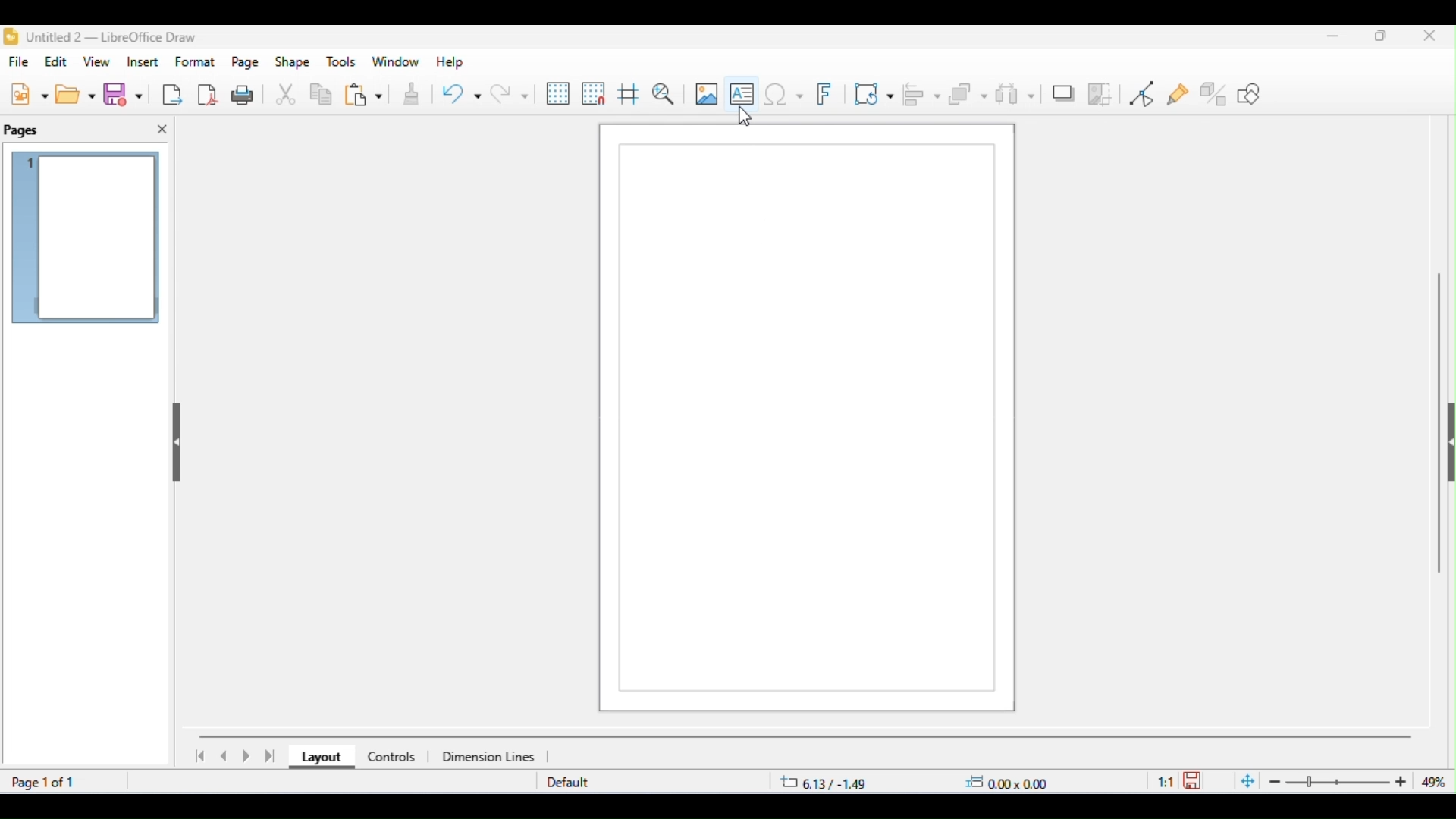  Describe the element at coordinates (705, 93) in the screenshot. I see `insert image` at that location.